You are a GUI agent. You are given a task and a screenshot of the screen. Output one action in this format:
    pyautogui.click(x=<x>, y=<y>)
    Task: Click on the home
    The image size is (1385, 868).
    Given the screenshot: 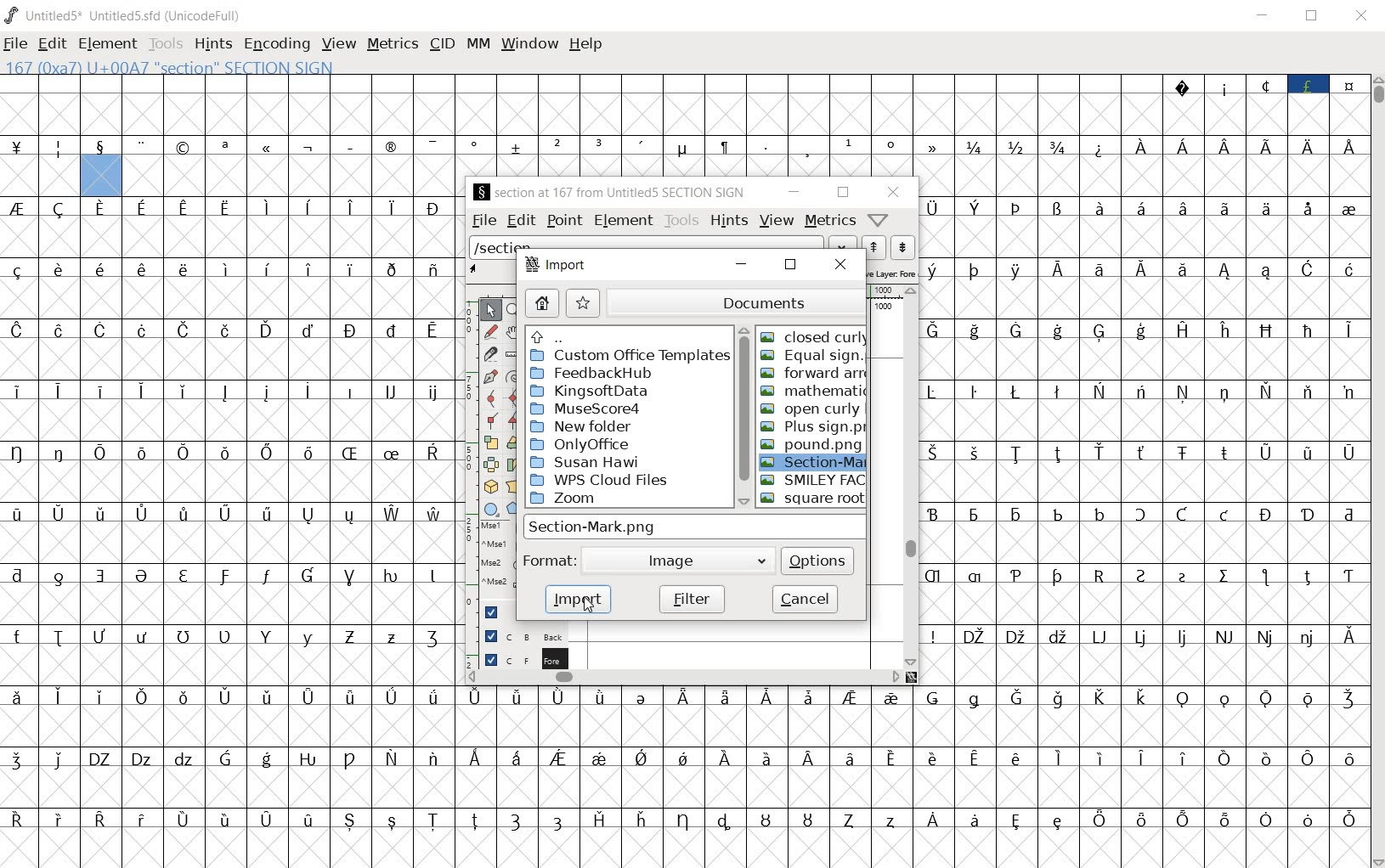 What is the action you would take?
    pyautogui.click(x=542, y=304)
    